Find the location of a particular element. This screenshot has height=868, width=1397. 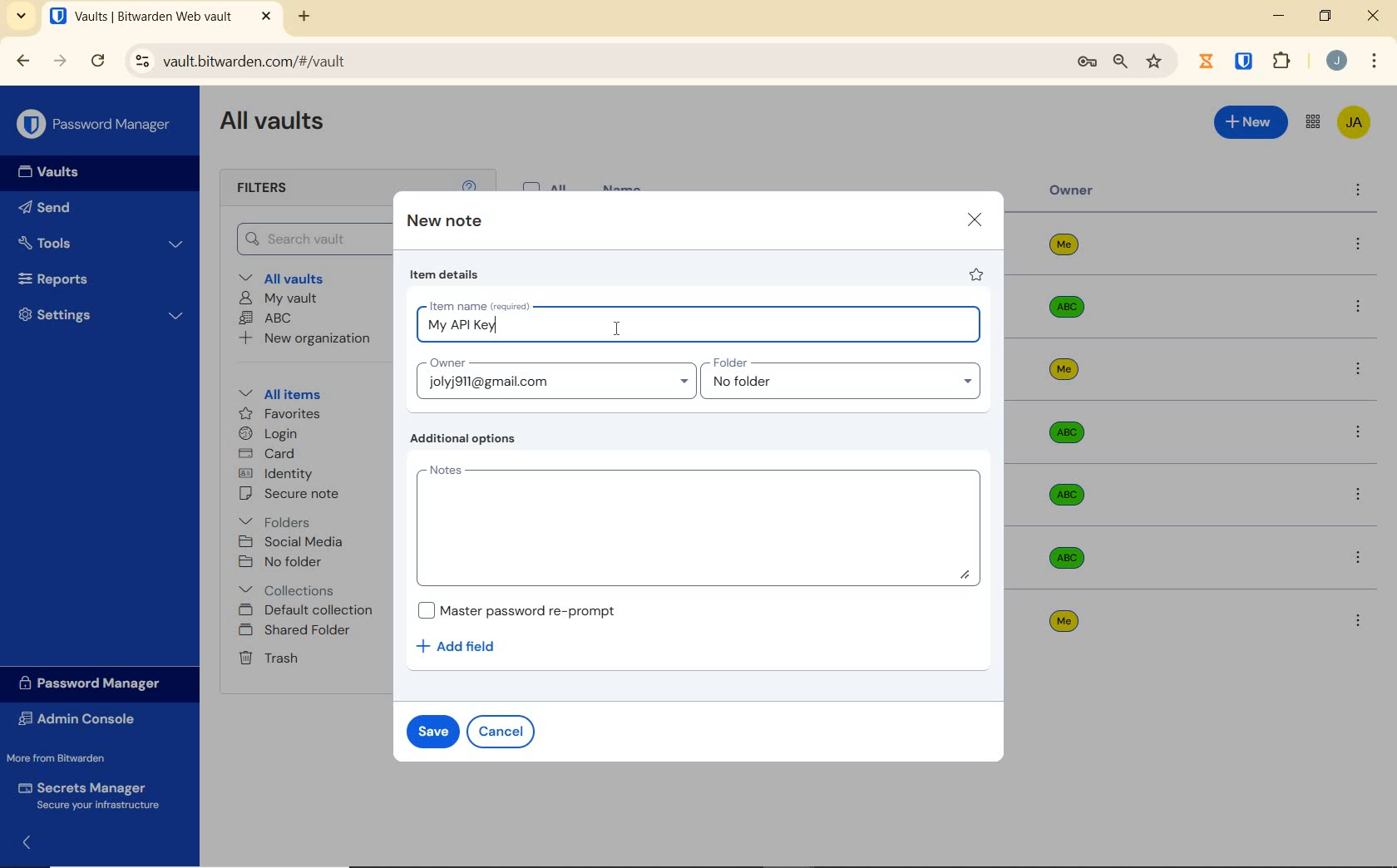

All vaults is located at coordinates (297, 279).